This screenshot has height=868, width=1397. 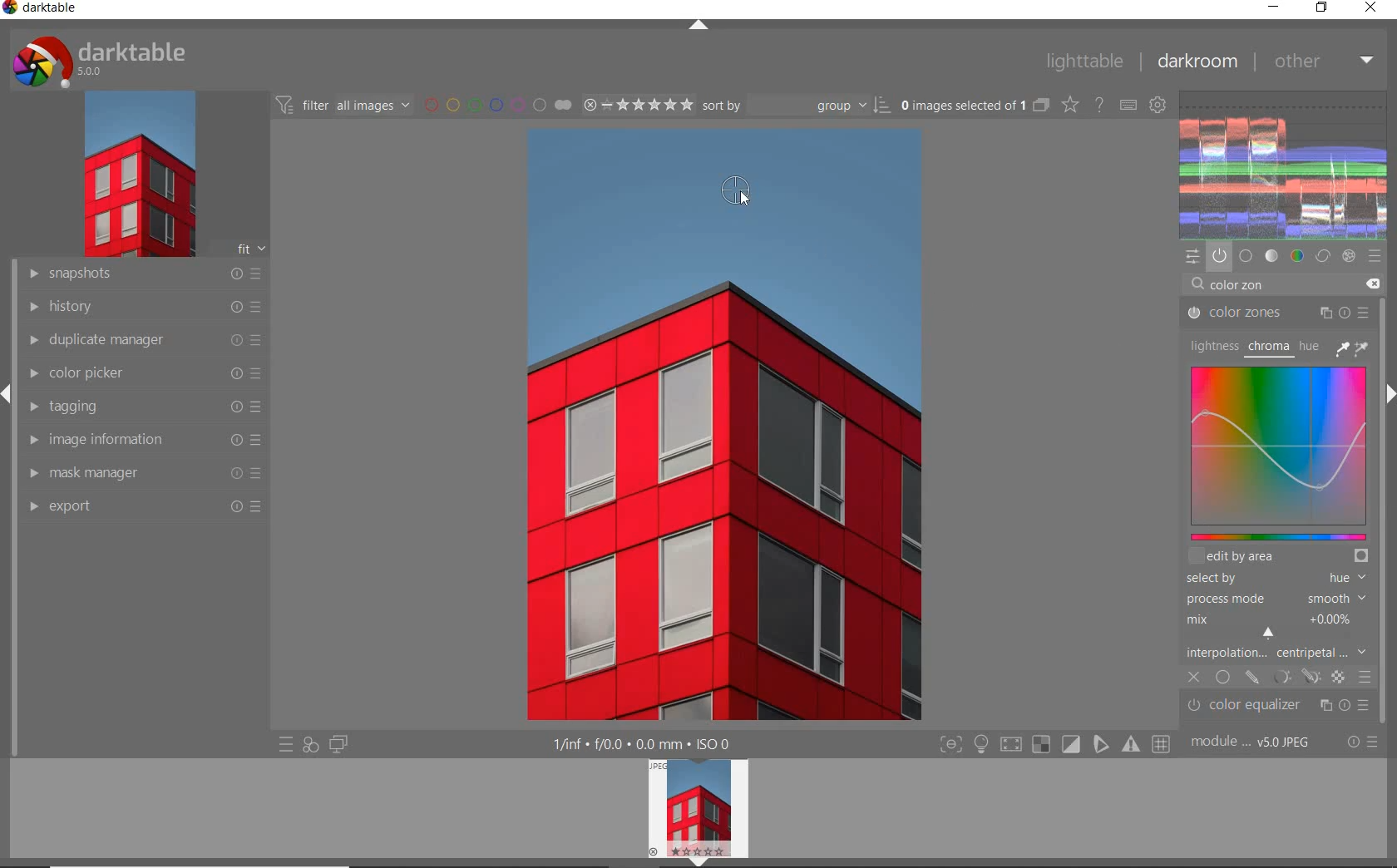 What do you see at coordinates (1371, 8) in the screenshot?
I see `close` at bounding box center [1371, 8].